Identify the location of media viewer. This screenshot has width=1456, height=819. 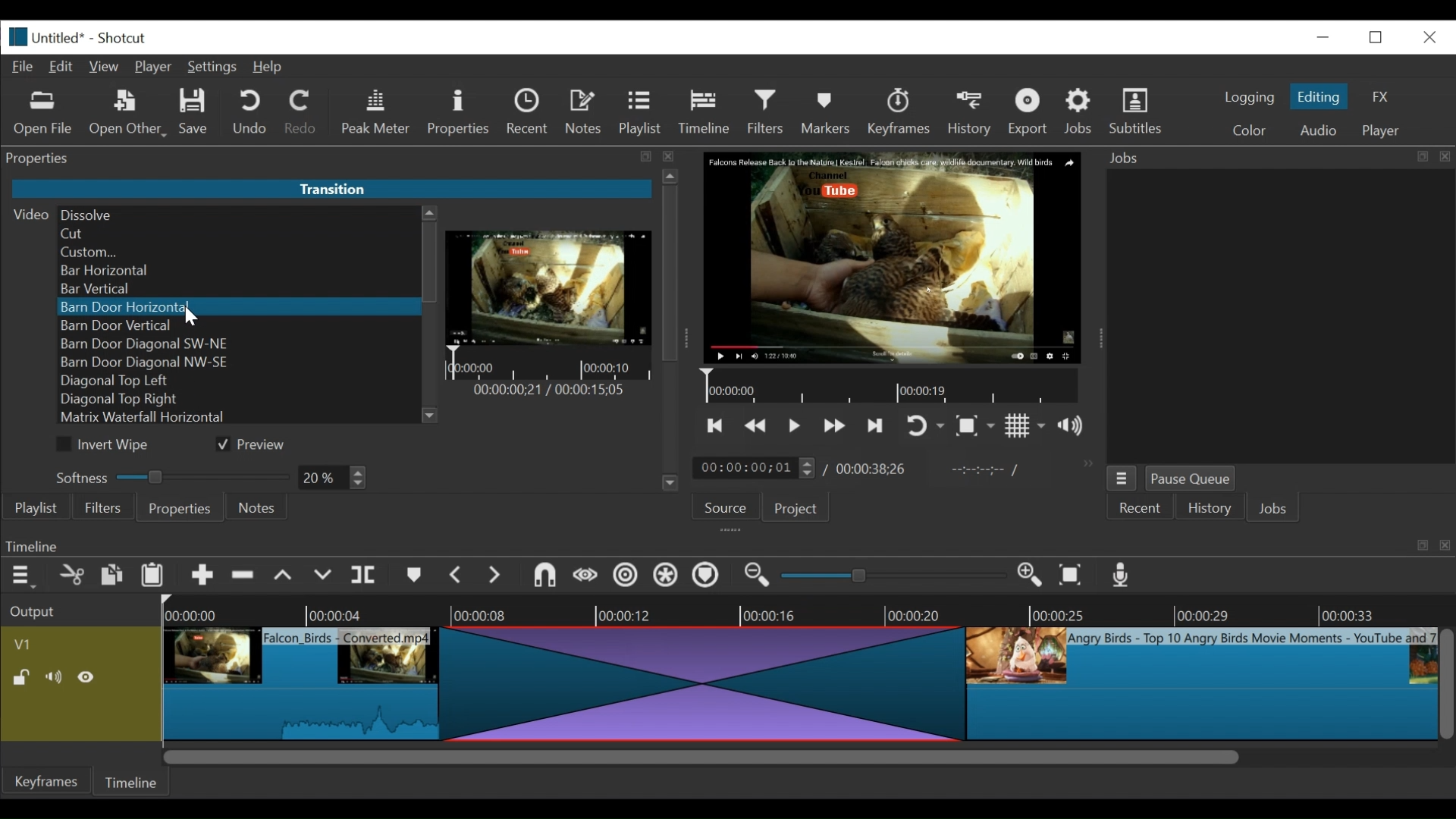
(868, 257).